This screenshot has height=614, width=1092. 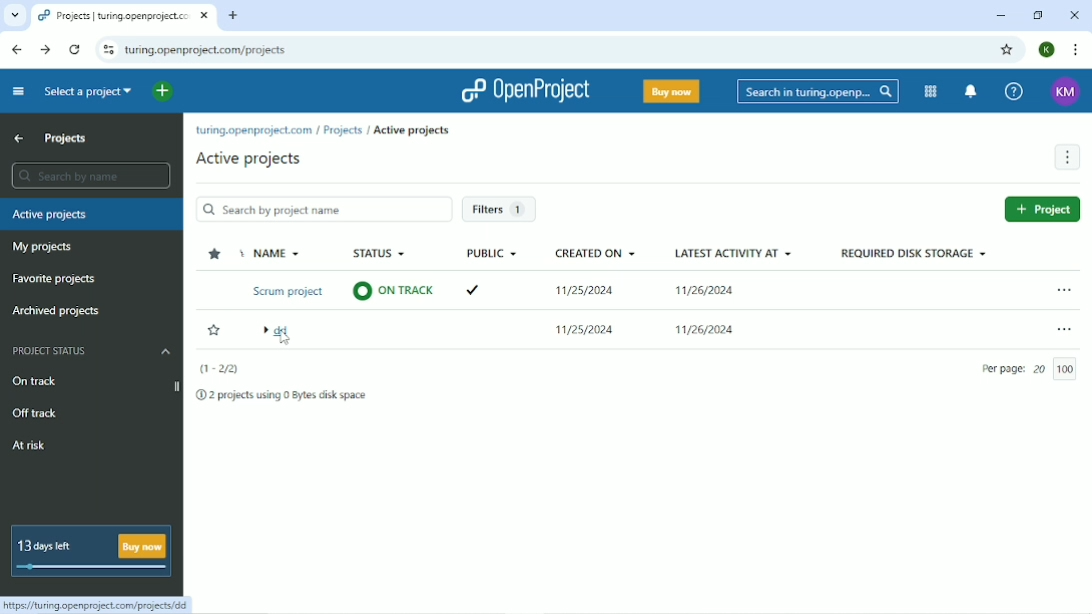 What do you see at coordinates (1068, 90) in the screenshot?
I see `KM` at bounding box center [1068, 90].